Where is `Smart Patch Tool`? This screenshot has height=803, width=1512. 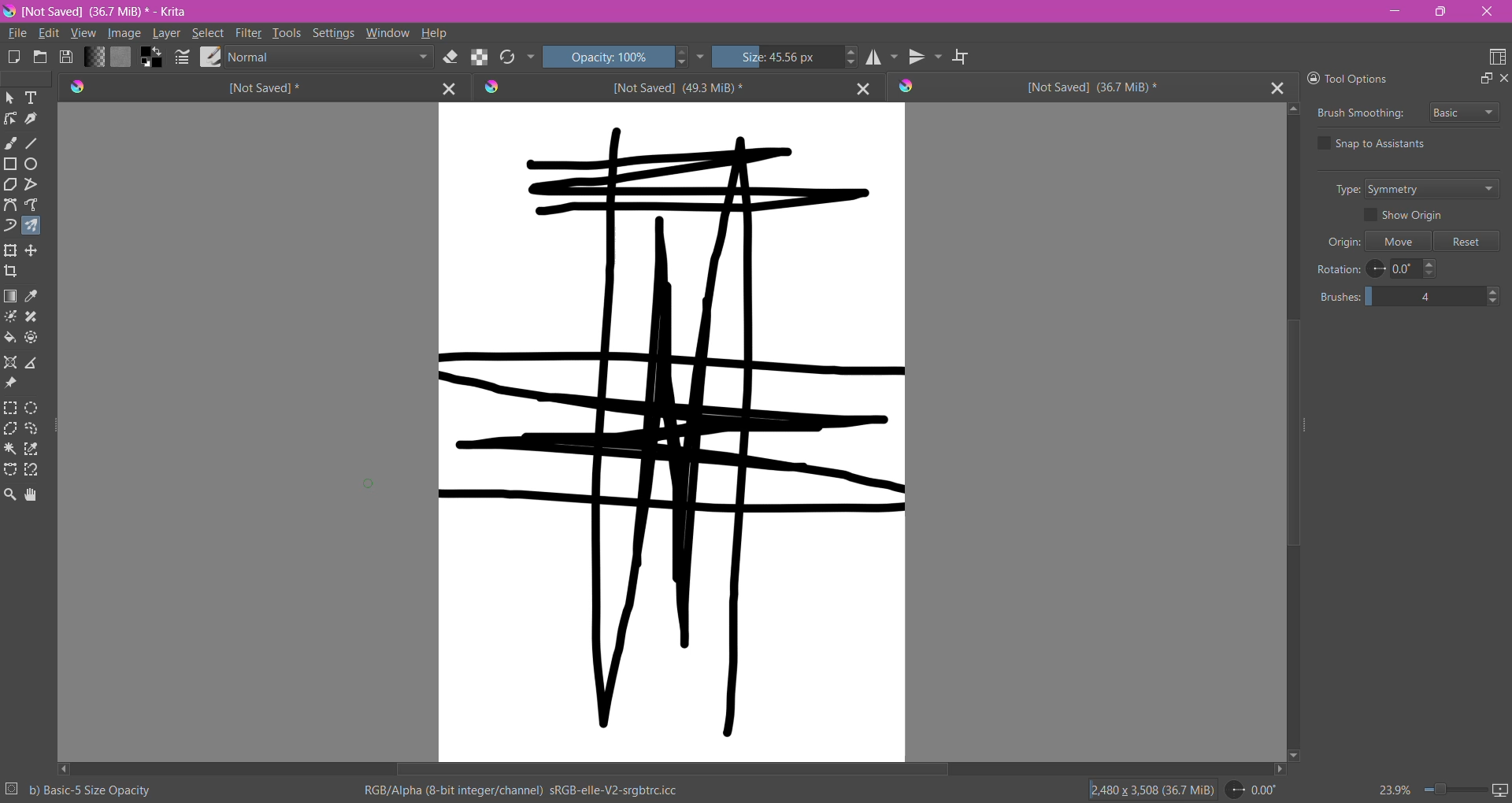 Smart Patch Tool is located at coordinates (32, 317).